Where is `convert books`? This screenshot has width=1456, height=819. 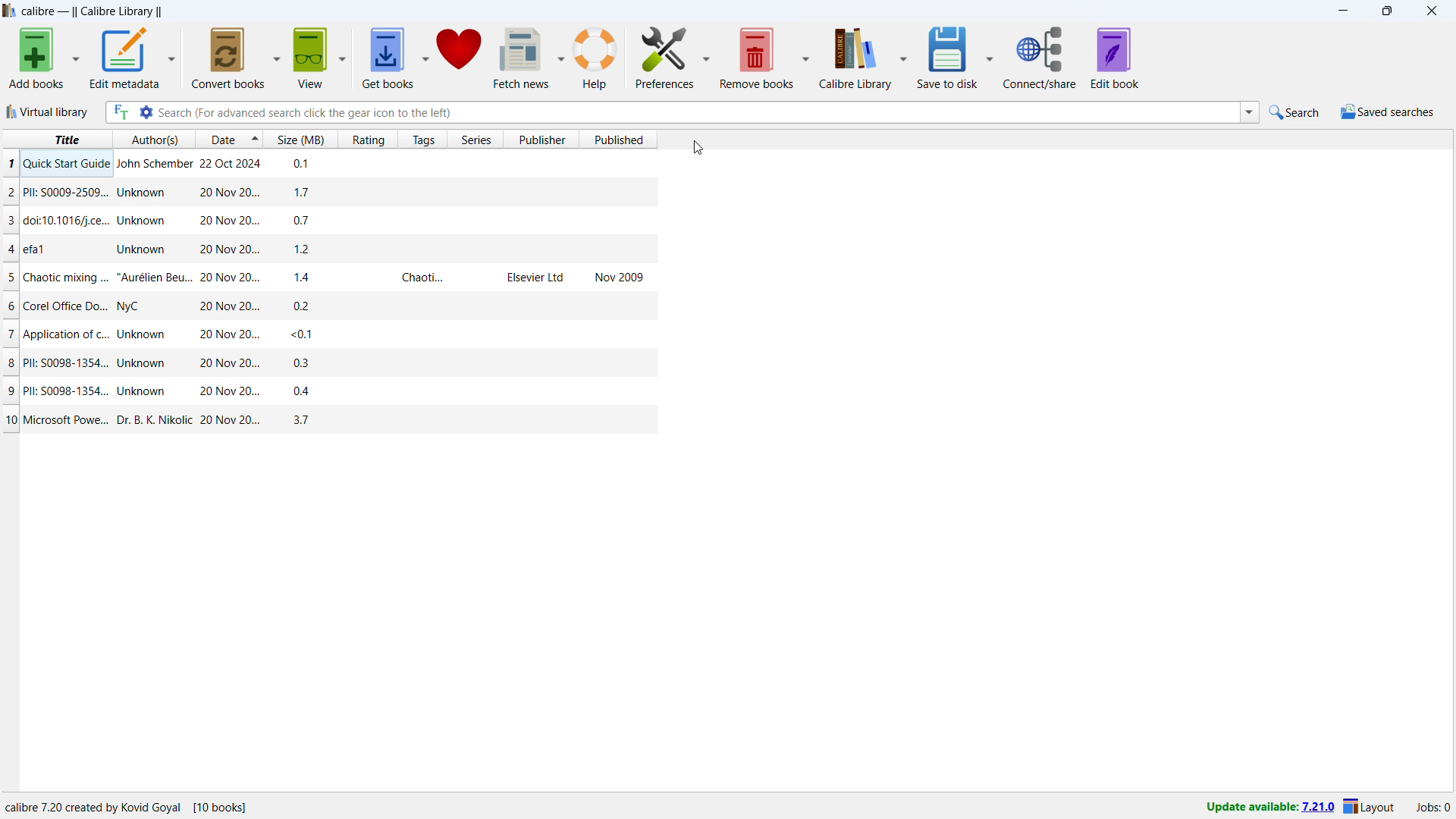
convert books is located at coordinates (227, 58).